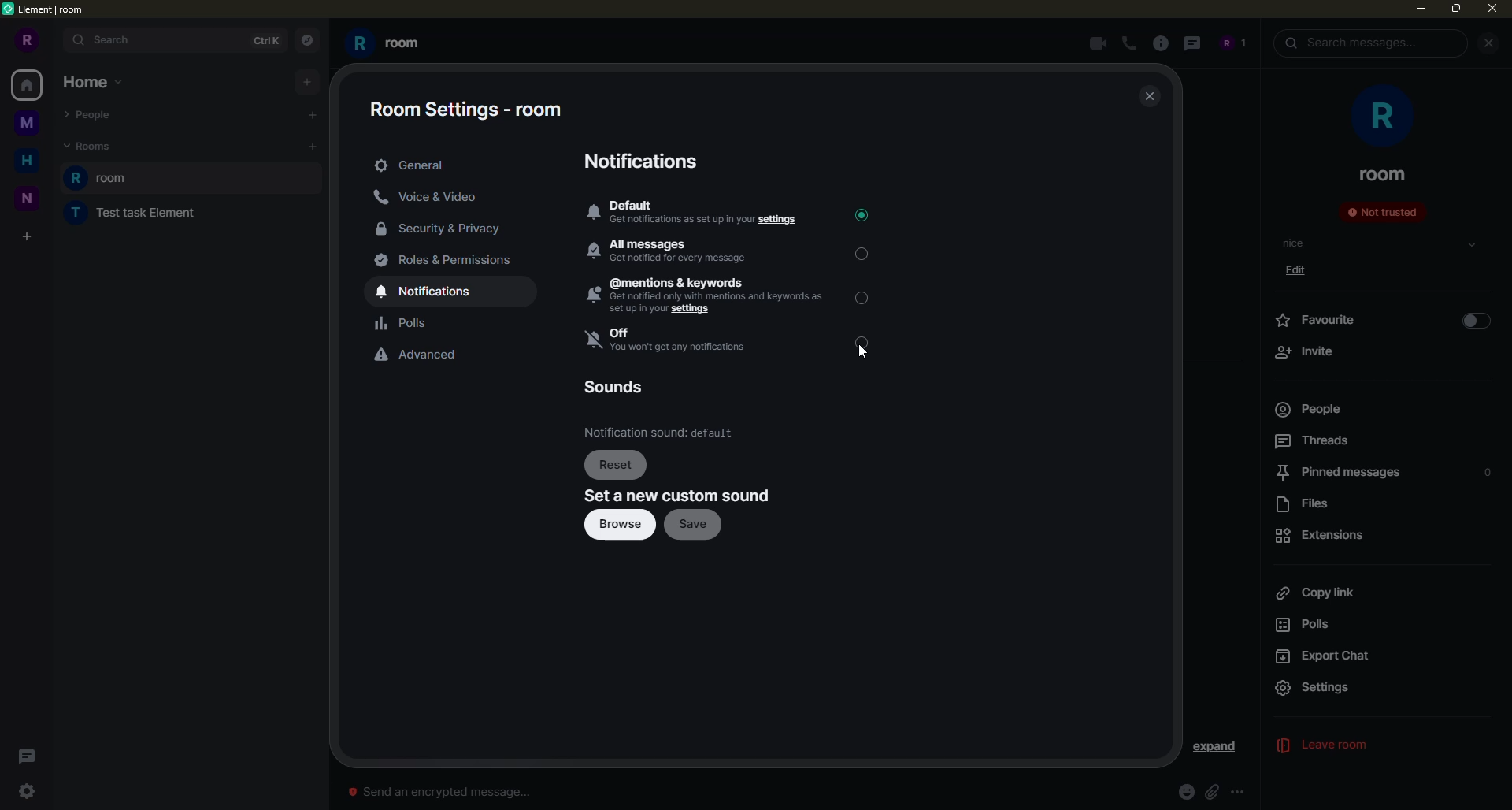 The height and width of the screenshot is (810, 1512). Describe the element at coordinates (678, 251) in the screenshot. I see `all messages` at that location.